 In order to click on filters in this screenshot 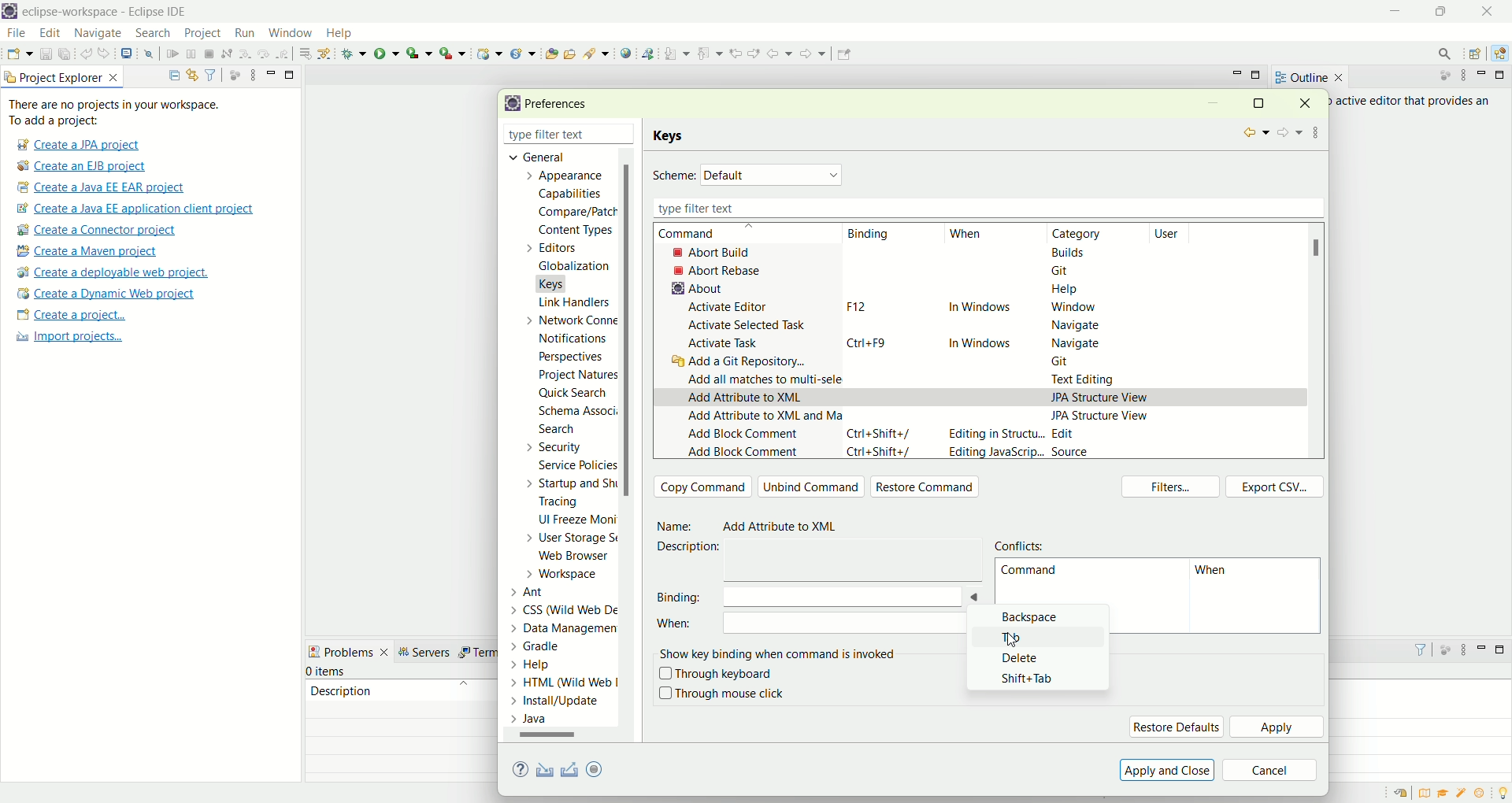, I will do `click(1174, 488)`.